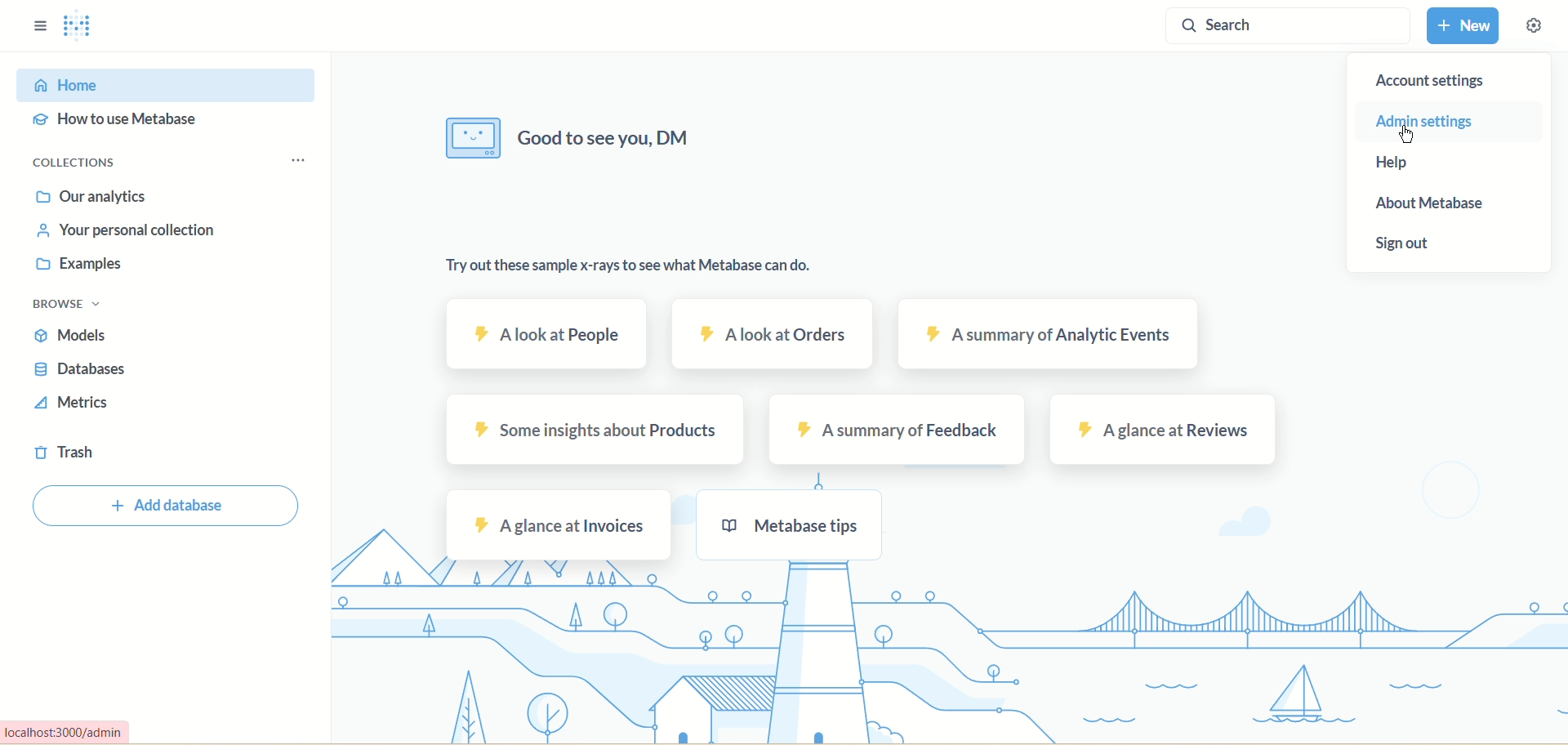  Describe the element at coordinates (163, 87) in the screenshot. I see `home` at that location.